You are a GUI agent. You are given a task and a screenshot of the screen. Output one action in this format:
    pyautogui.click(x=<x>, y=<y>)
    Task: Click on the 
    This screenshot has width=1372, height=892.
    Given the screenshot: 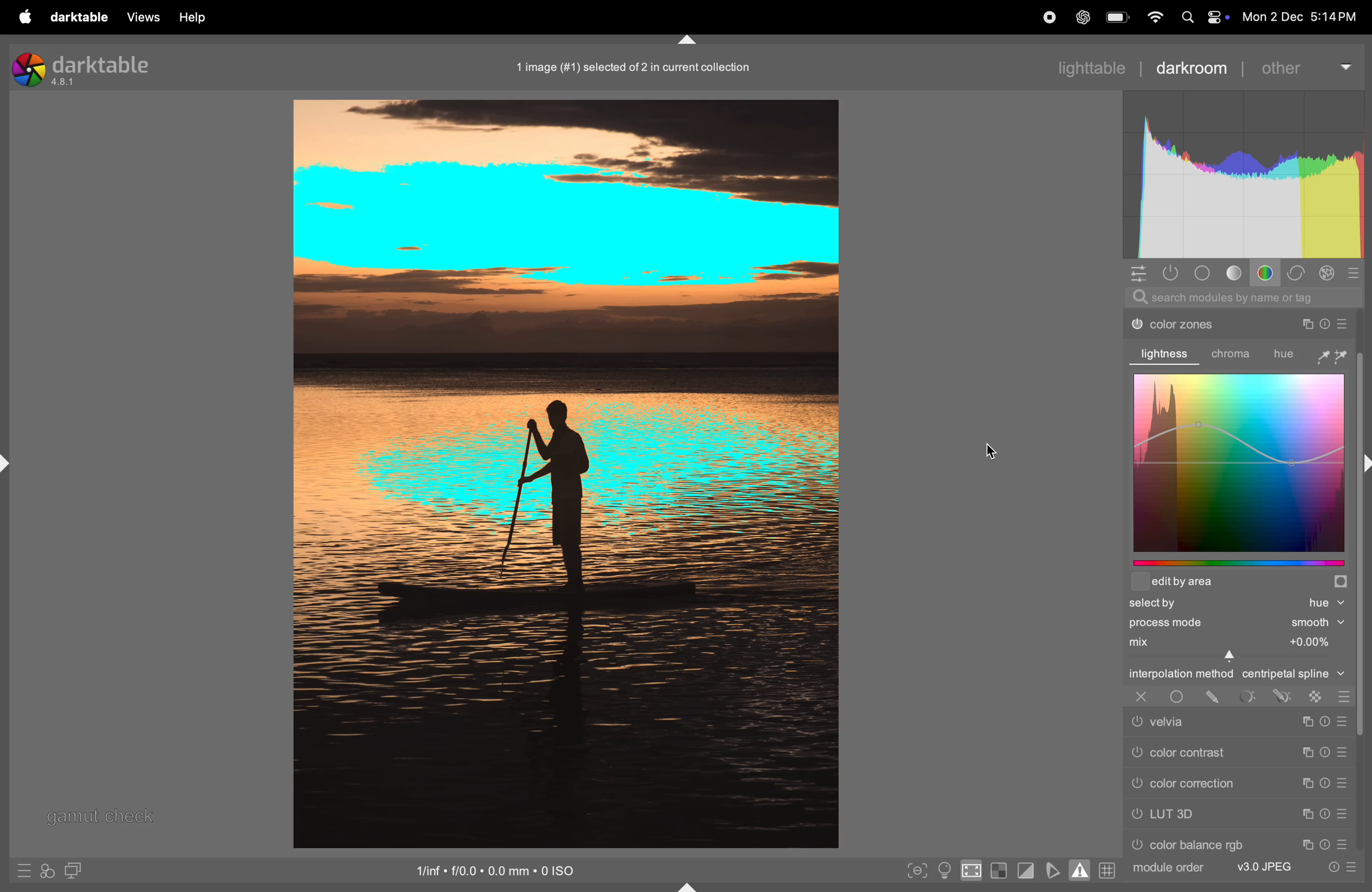 What is the action you would take?
    pyautogui.click(x=1340, y=697)
    